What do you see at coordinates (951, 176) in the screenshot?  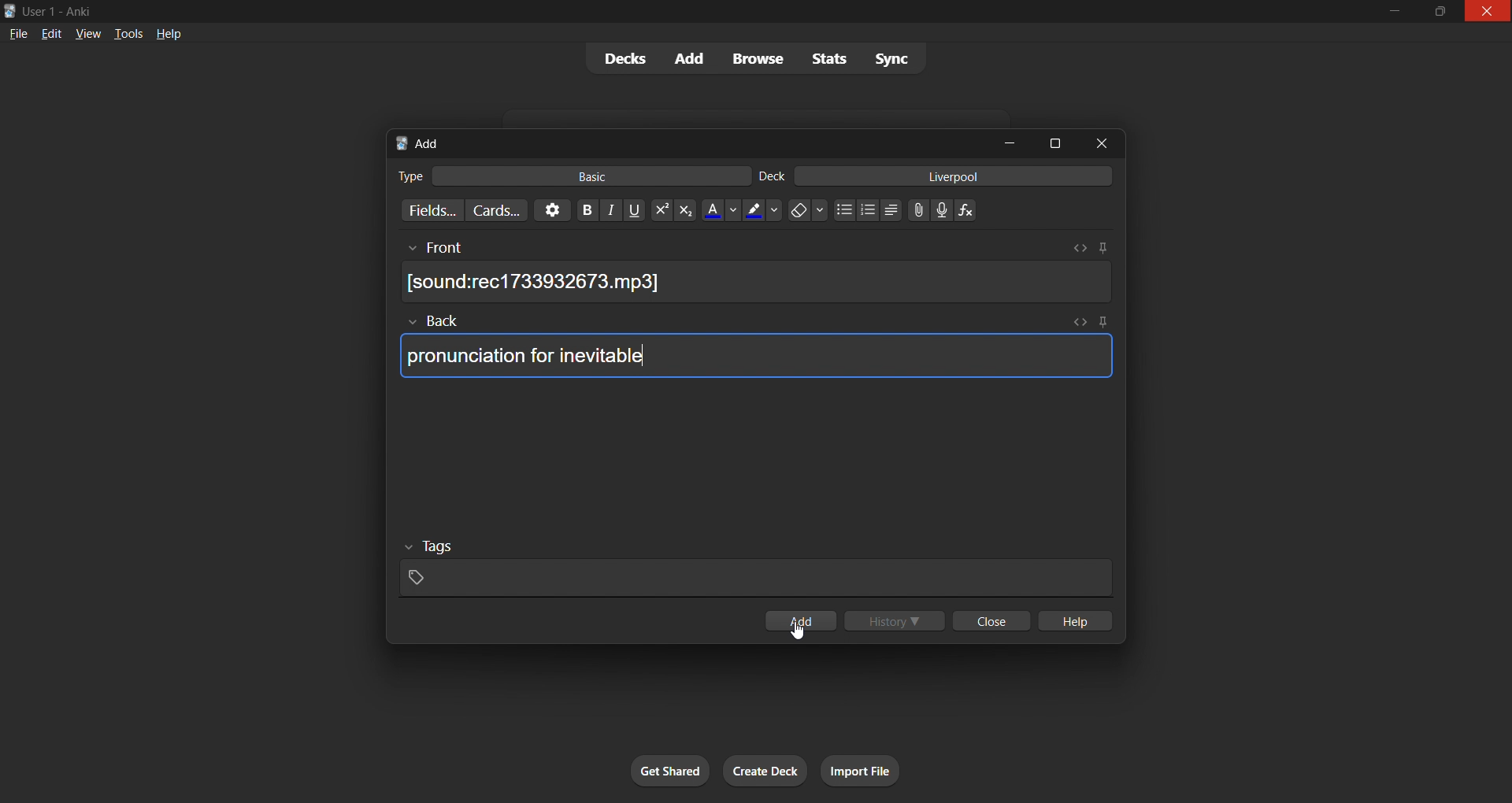 I see `` at bounding box center [951, 176].